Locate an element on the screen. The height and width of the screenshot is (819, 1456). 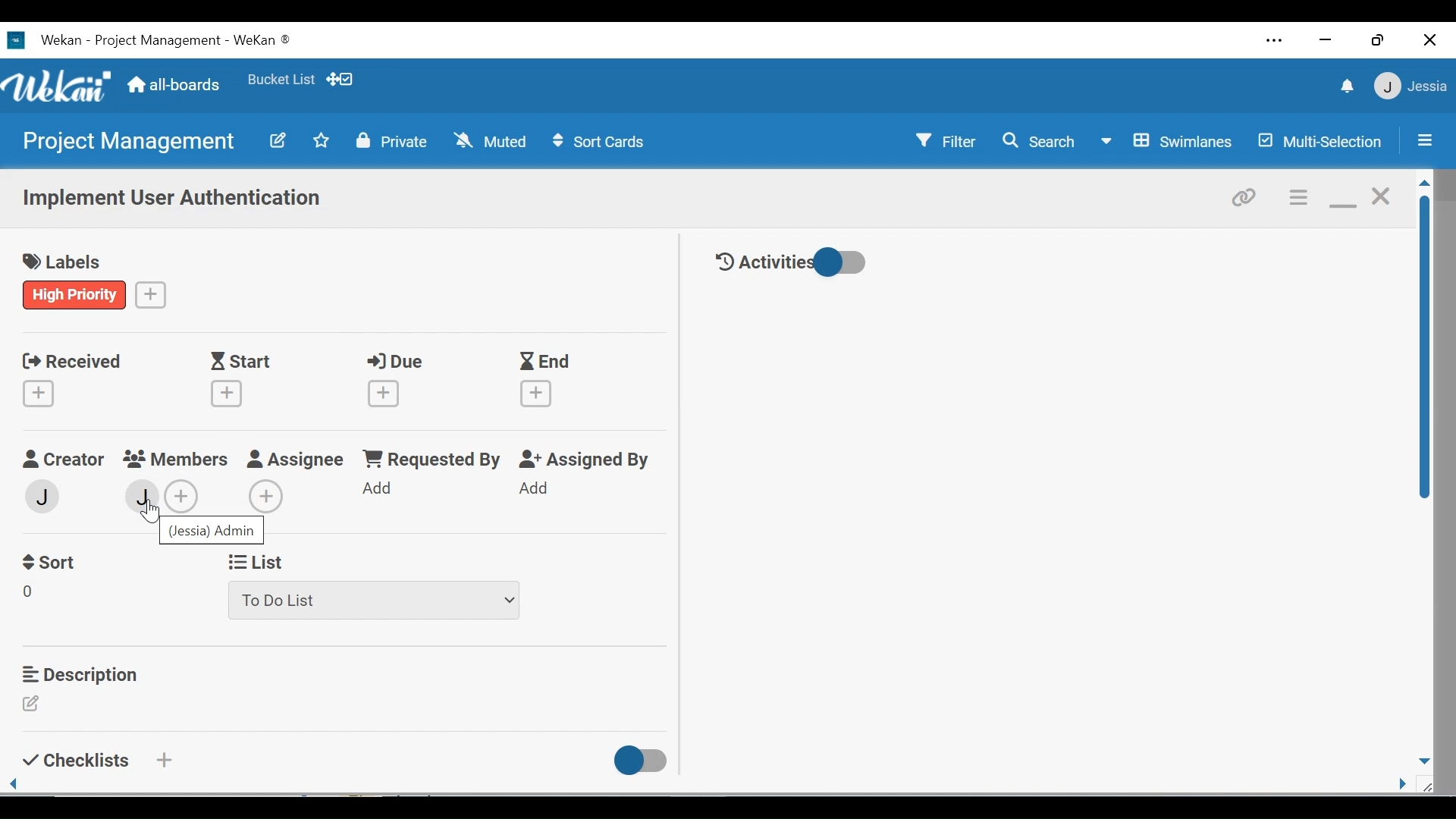
Sort is located at coordinates (51, 563).